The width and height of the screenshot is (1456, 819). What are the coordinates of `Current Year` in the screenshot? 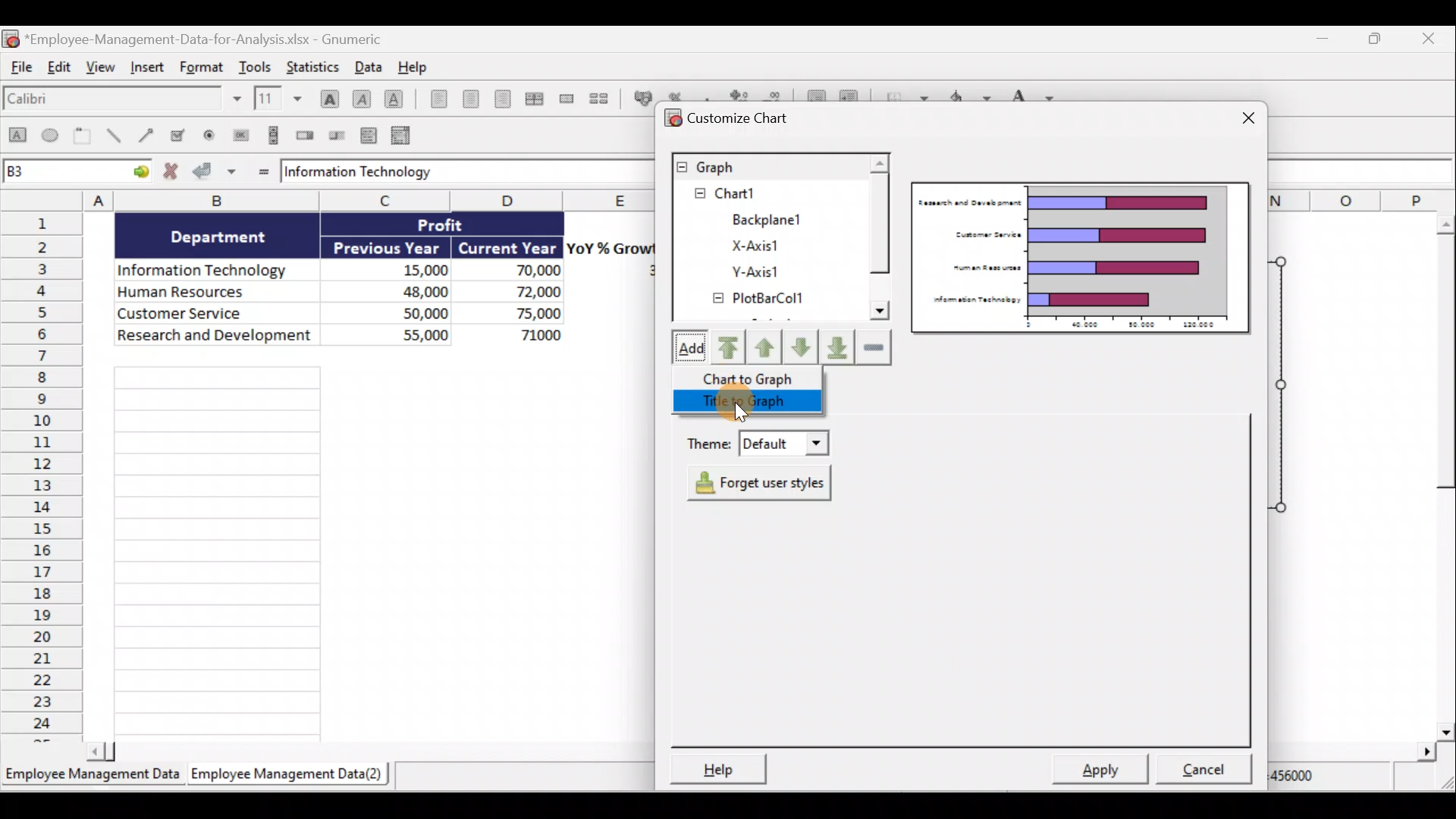 It's located at (508, 246).